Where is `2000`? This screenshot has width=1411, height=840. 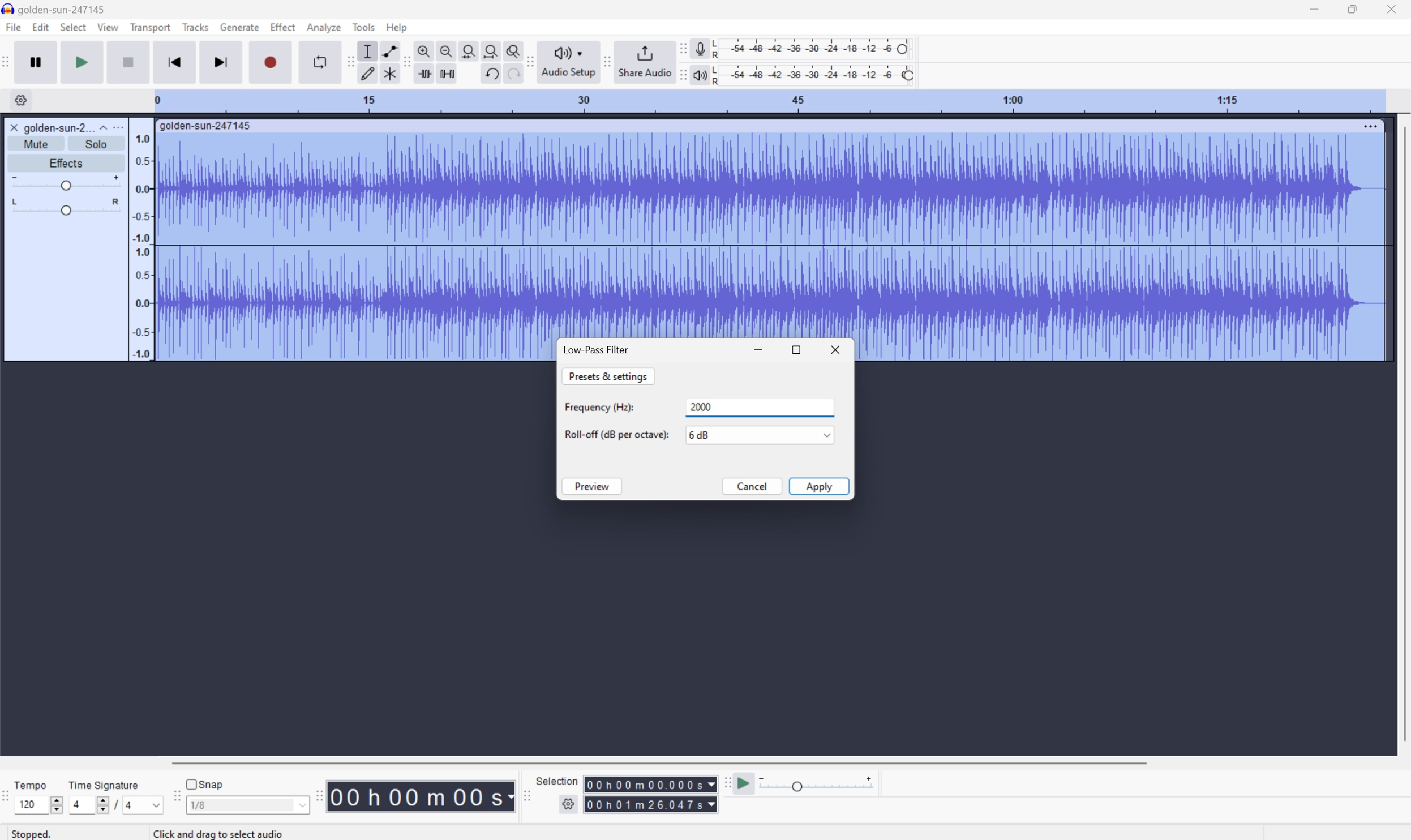
2000 is located at coordinates (760, 408).